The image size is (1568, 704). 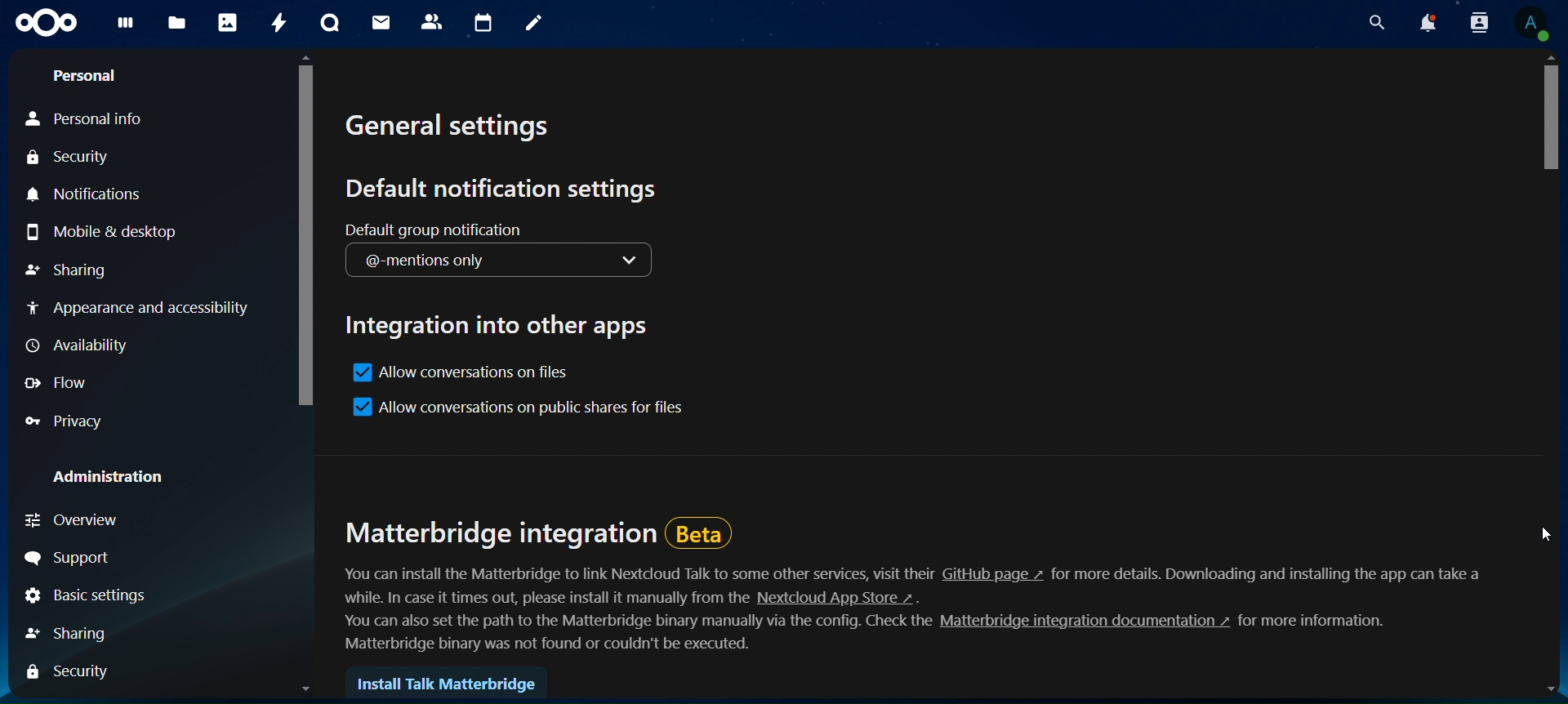 What do you see at coordinates (381, 22) in the screenshot?
I see `mail` at bounding box center [381, 22].